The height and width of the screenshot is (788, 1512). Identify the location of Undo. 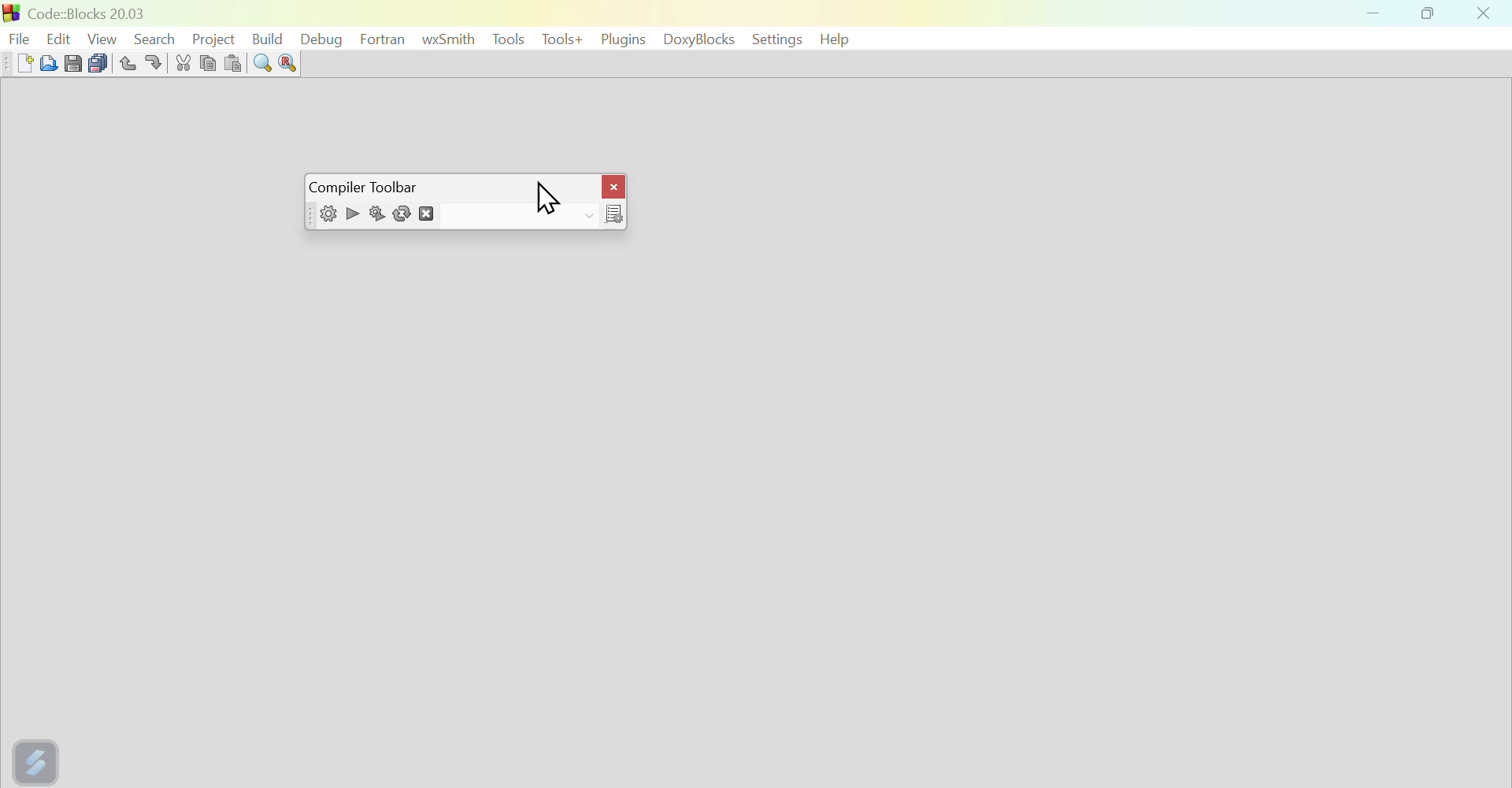
(125, 60).